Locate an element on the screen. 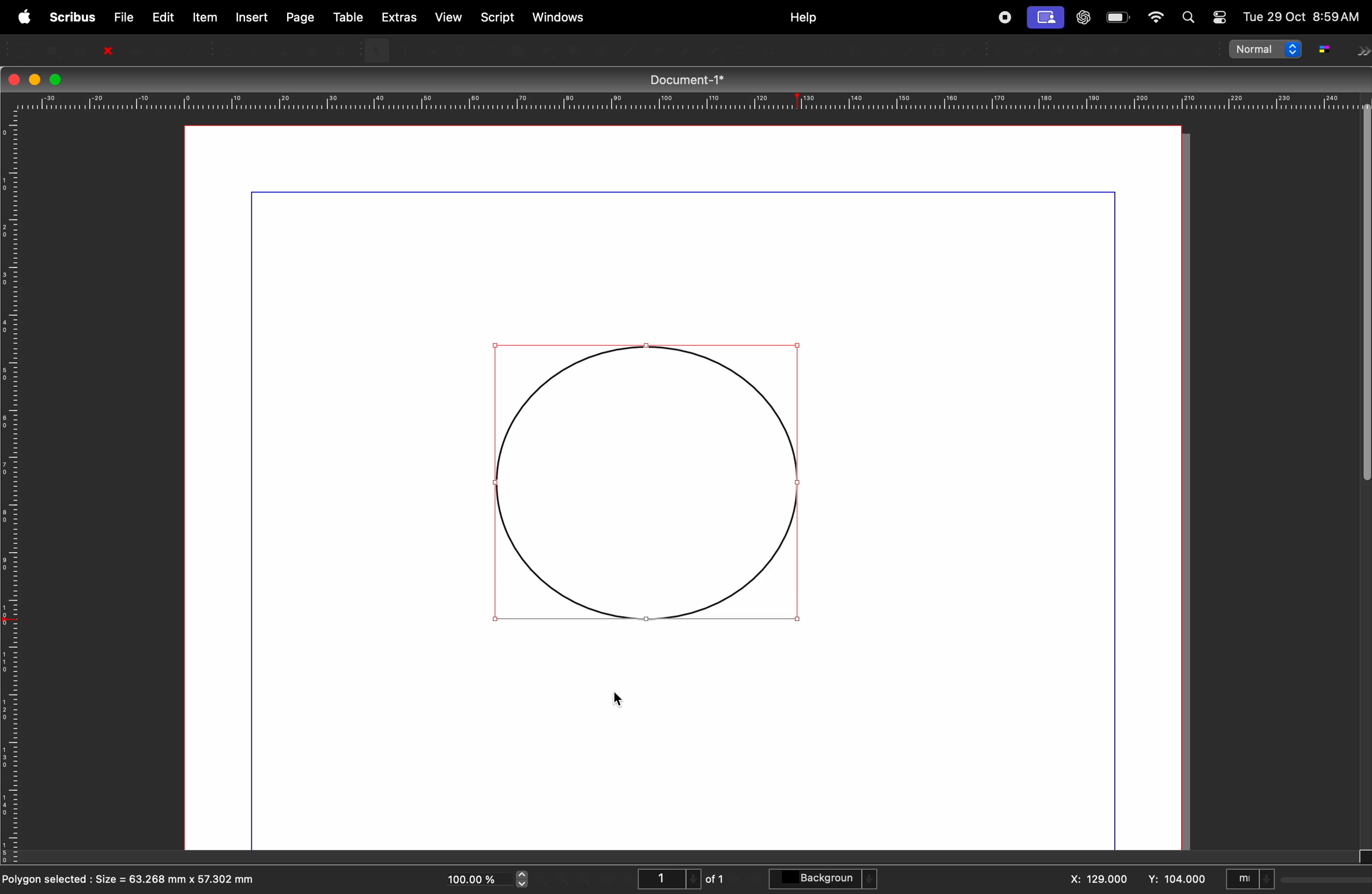 The width and height of the screenshot is (1372, 894). save as PDF is located at coordinates (194, 48).